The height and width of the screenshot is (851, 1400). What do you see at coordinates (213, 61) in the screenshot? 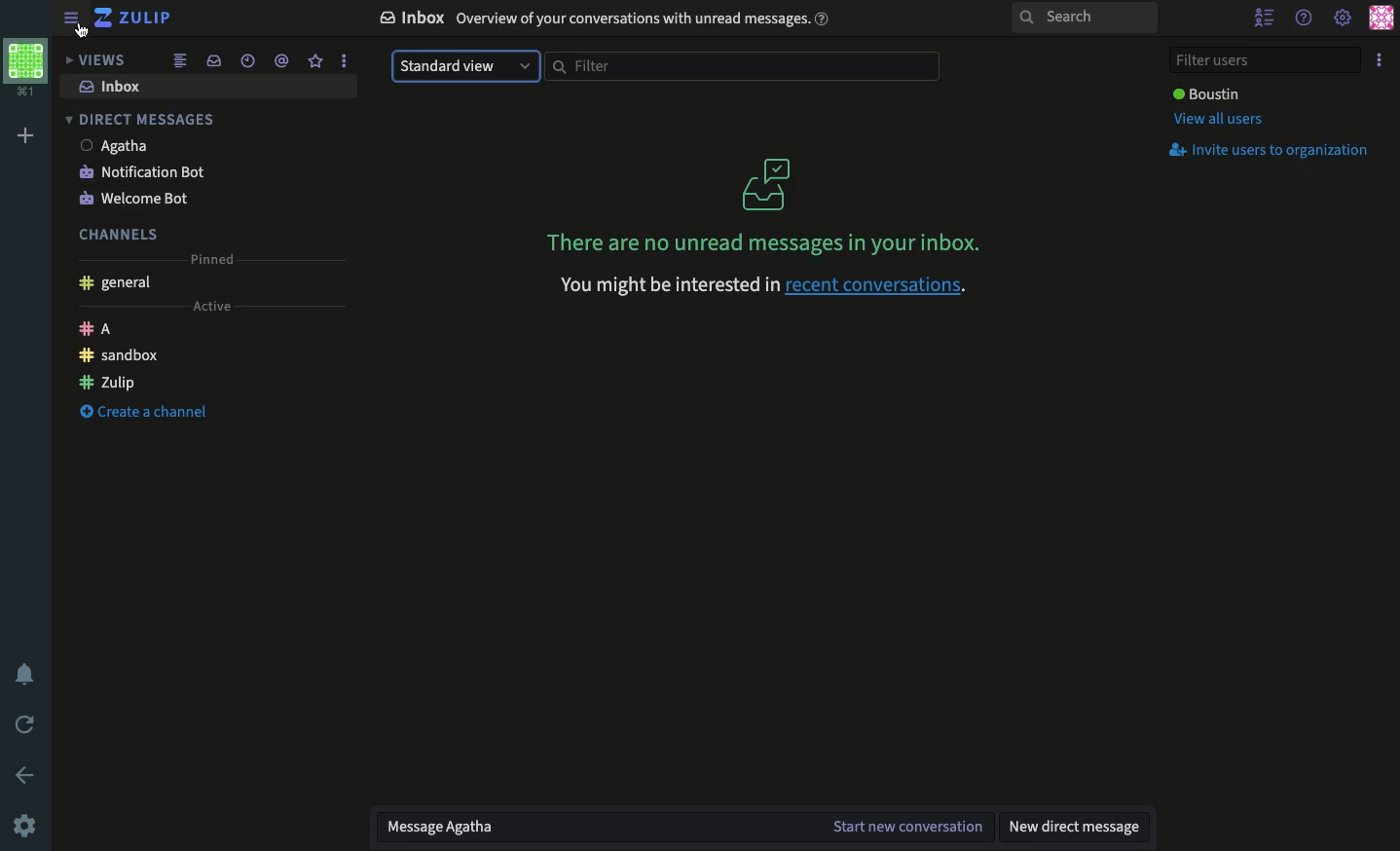
I see `Inbox` at bounding box center [213, 61].